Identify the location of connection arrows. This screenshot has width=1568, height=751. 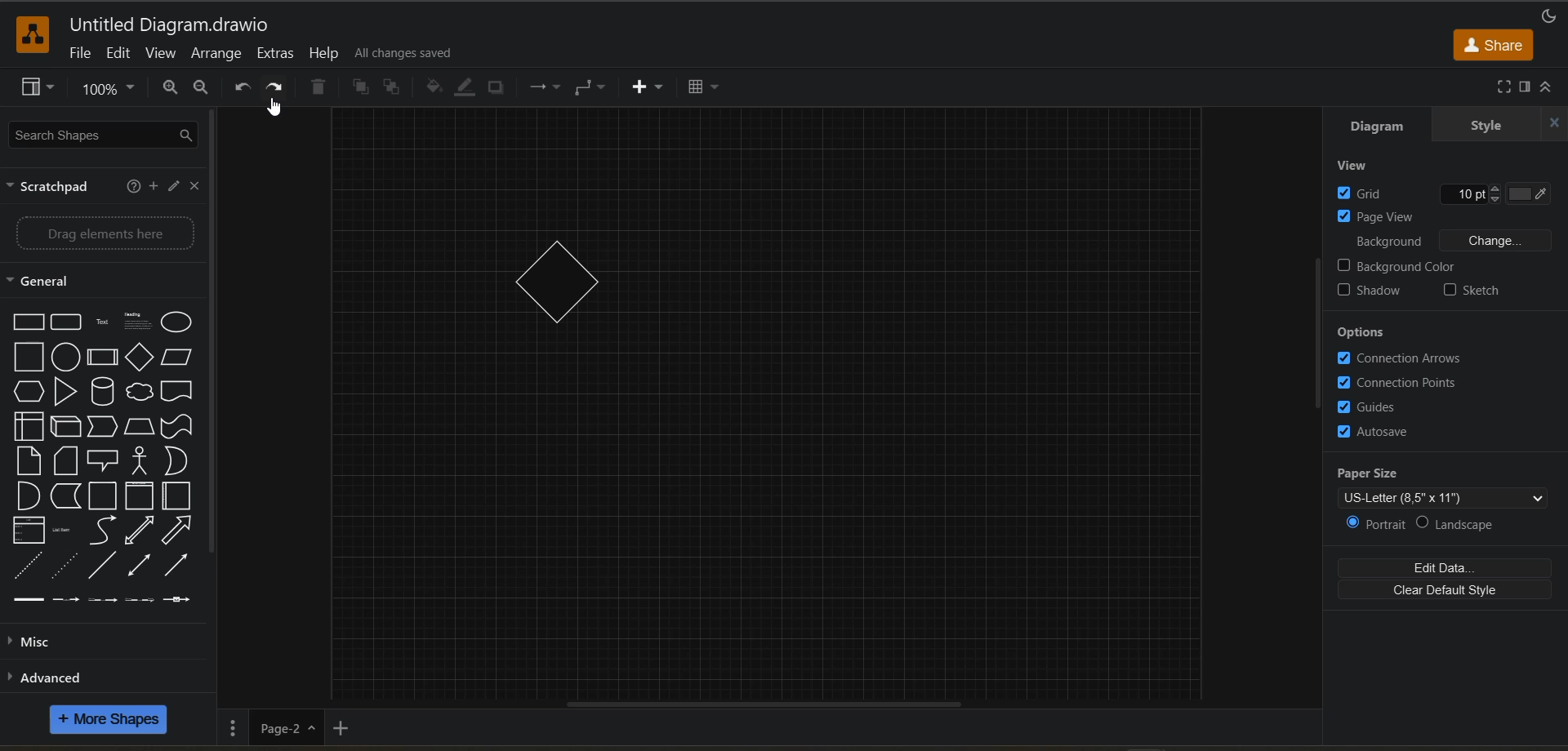
(1397, 359).